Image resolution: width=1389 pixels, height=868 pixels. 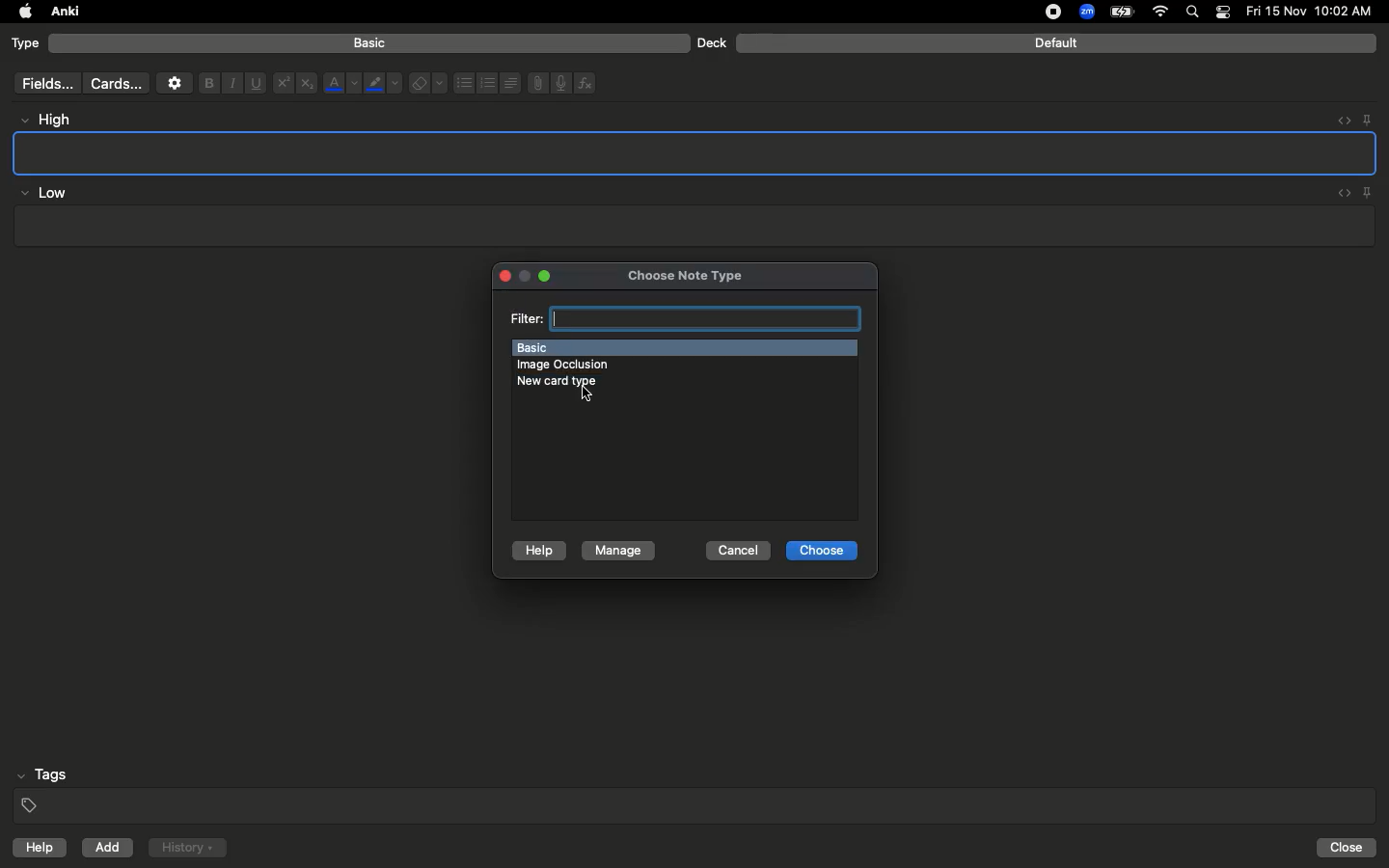 I want to click on Search, so click(x=1195, y=13).